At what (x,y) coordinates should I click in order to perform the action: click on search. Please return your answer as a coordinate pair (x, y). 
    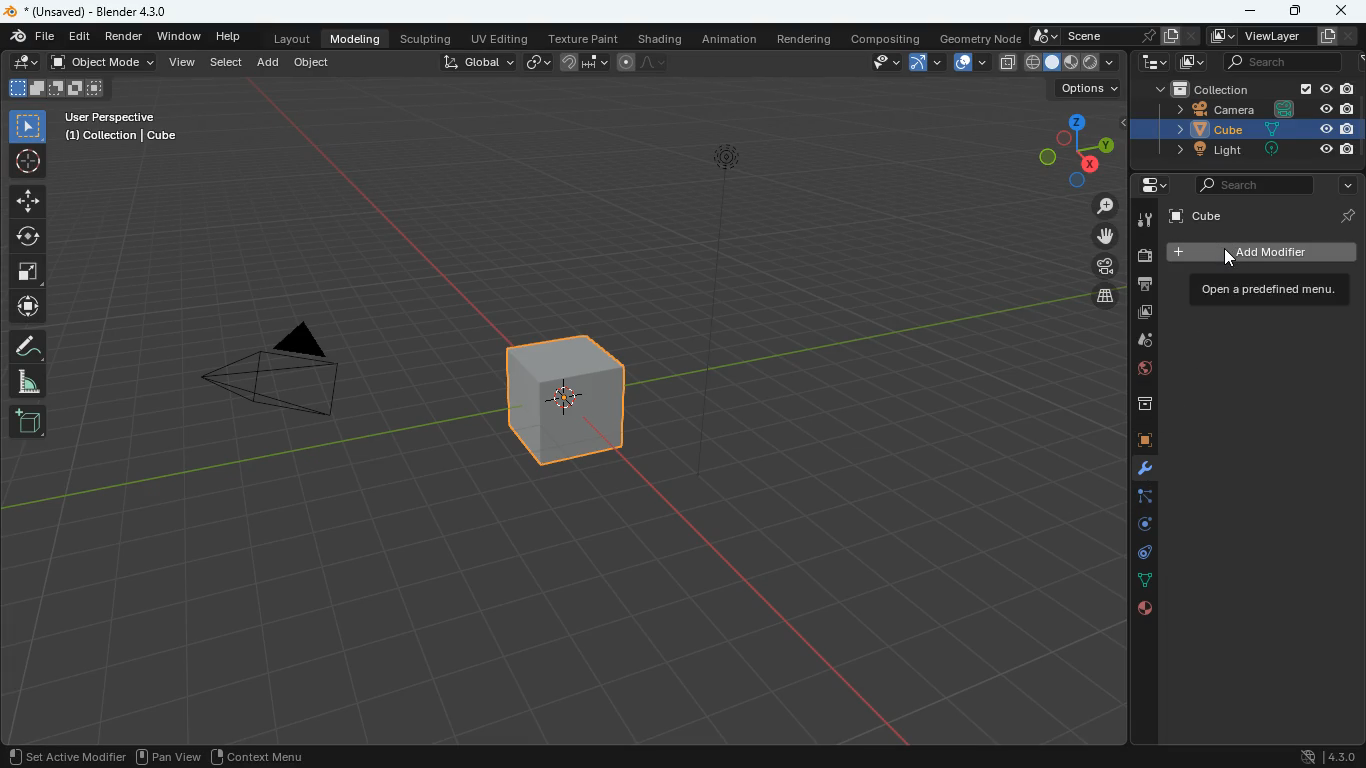
    Looking at the image, I should click on (1277, 63).